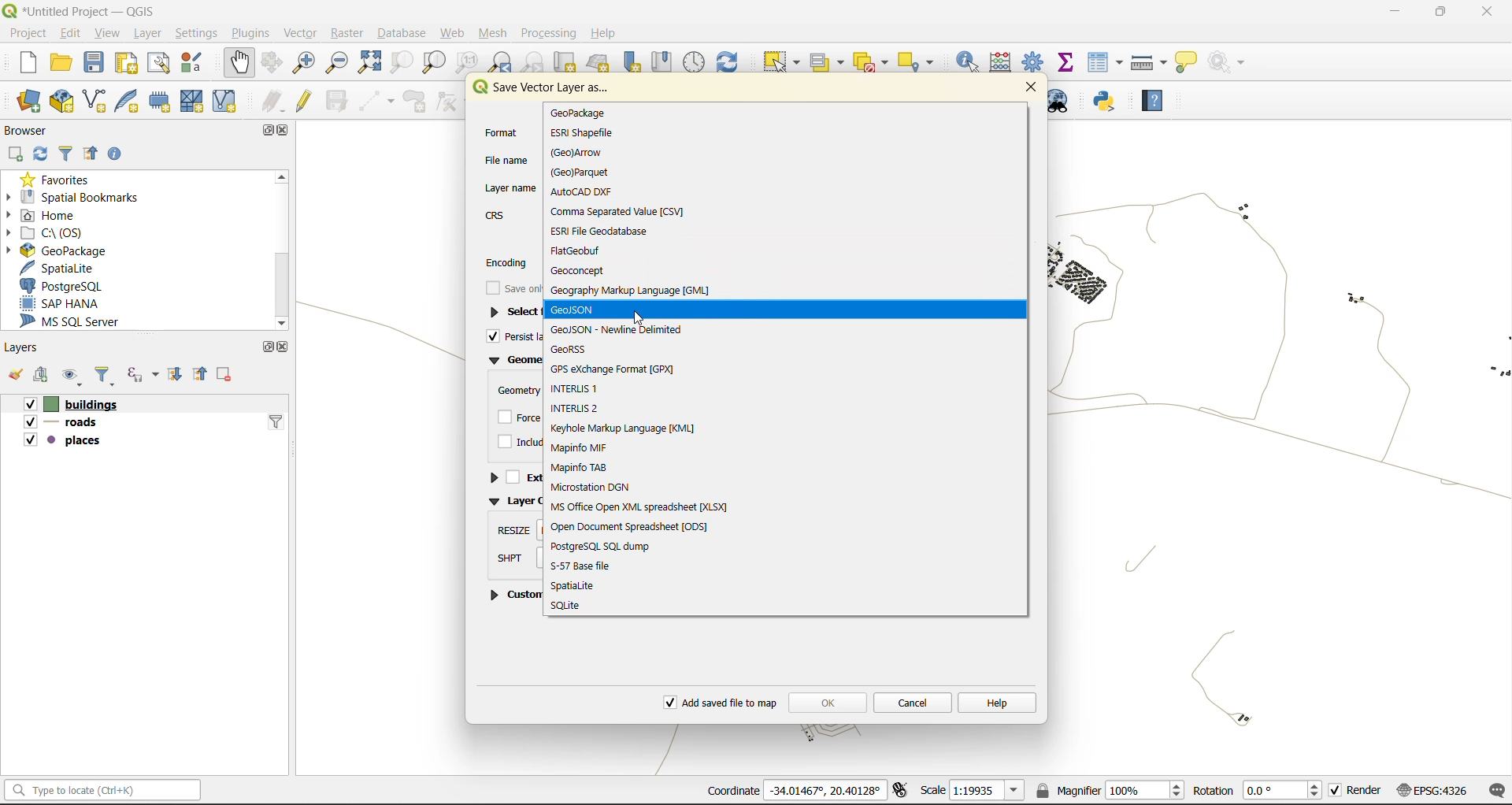  I want to click on add, so click(18, 152).